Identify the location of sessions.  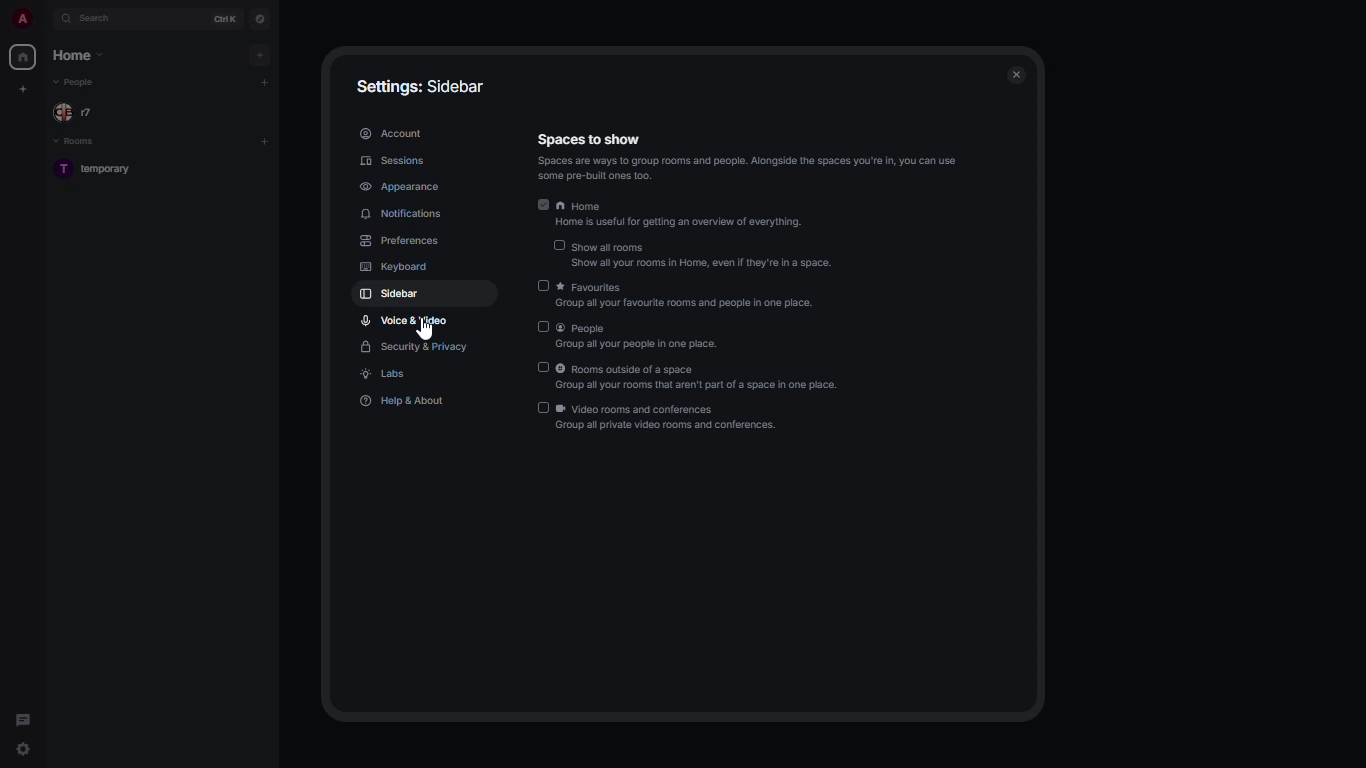
(388, 163).